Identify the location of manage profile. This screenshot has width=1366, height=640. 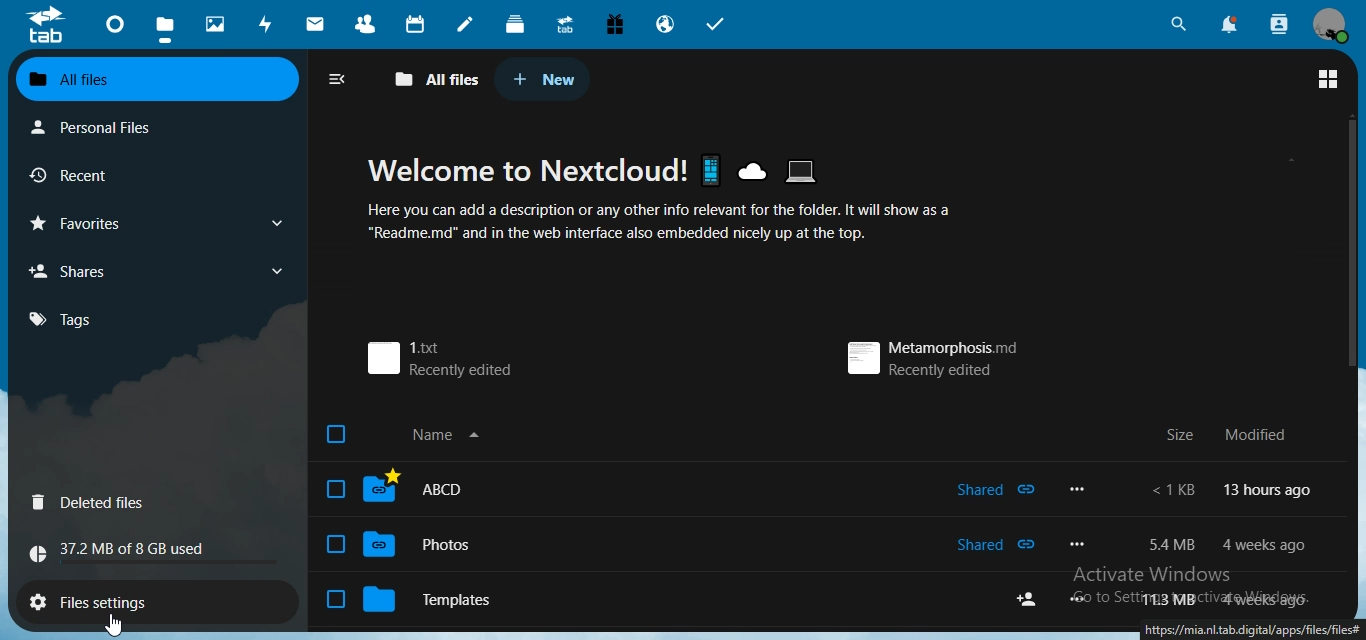
(1331, 27).